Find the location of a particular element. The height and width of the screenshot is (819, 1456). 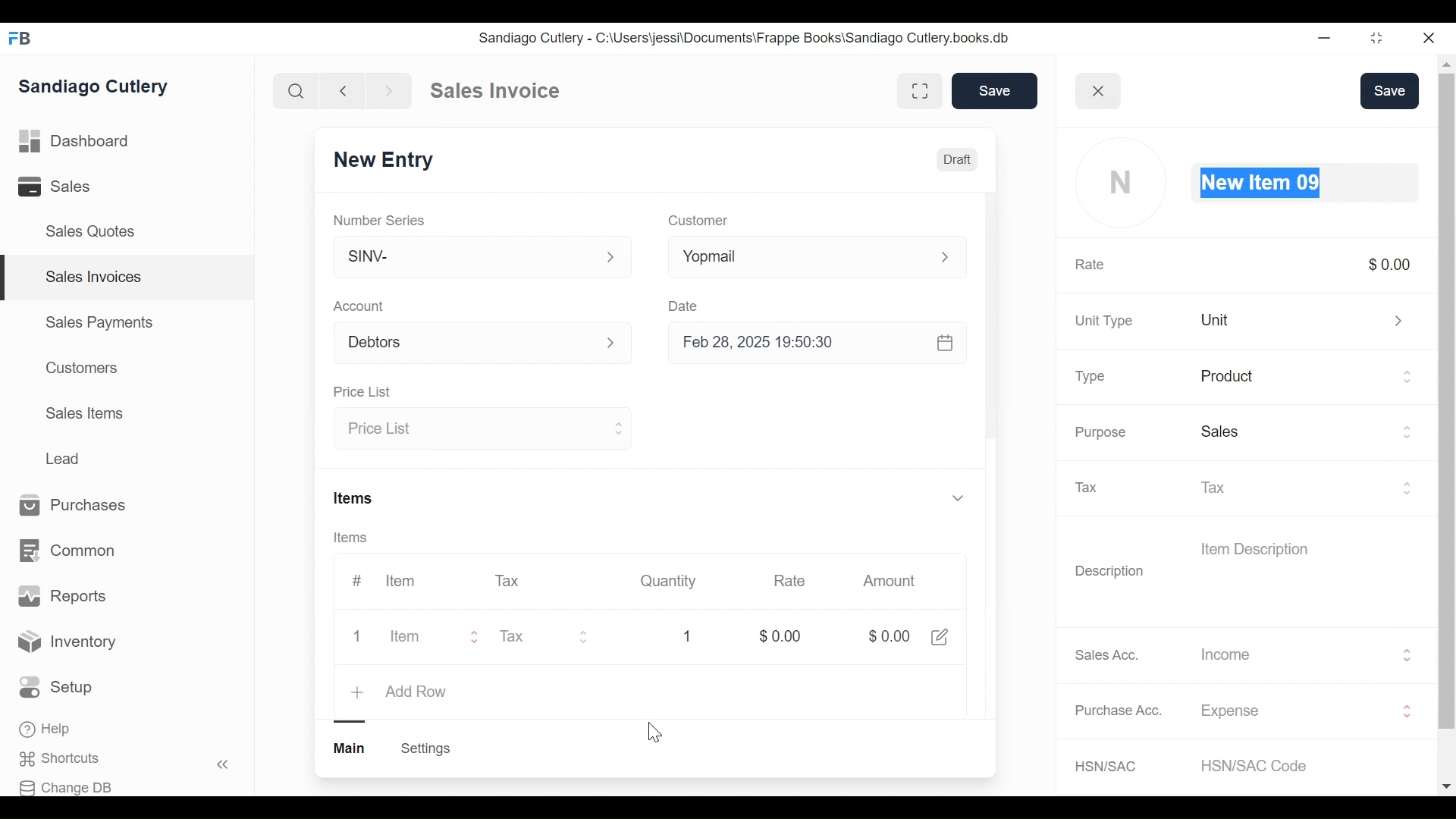

$0.00 is located at coordinates (886, 636).